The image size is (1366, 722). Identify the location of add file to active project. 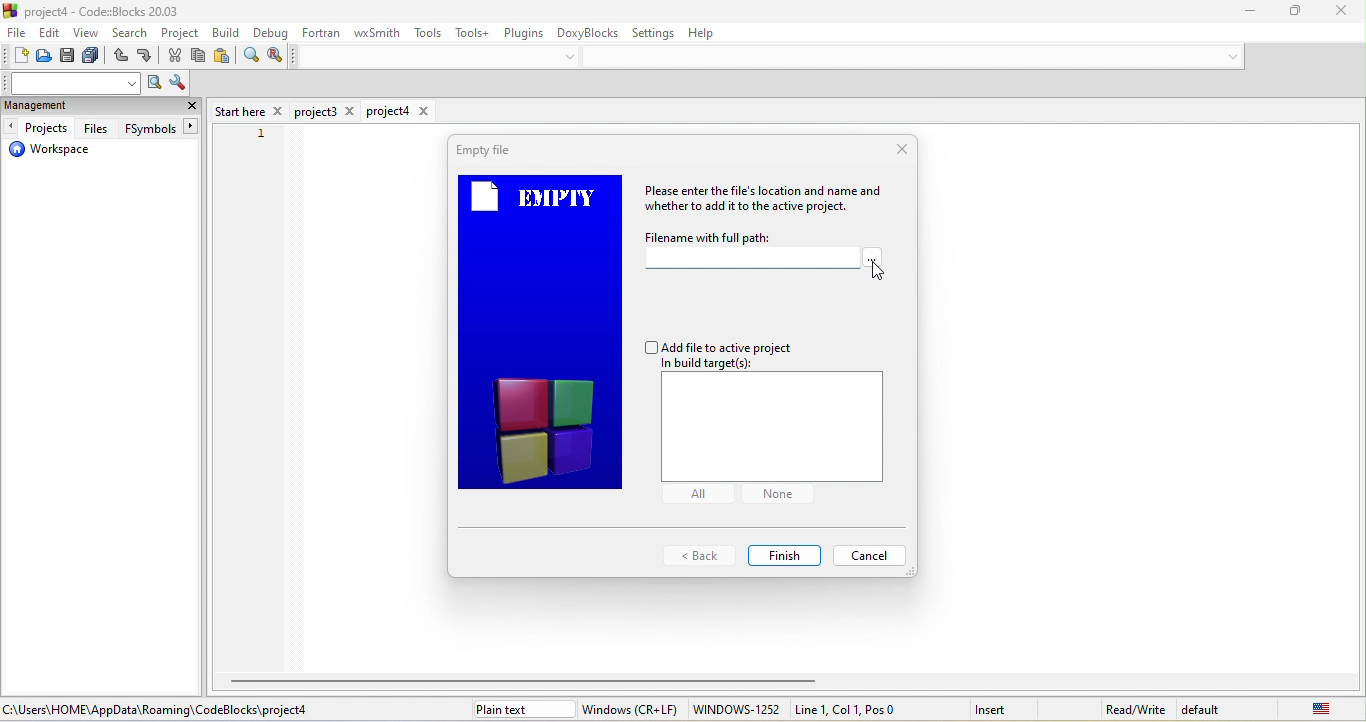
(768, 408).